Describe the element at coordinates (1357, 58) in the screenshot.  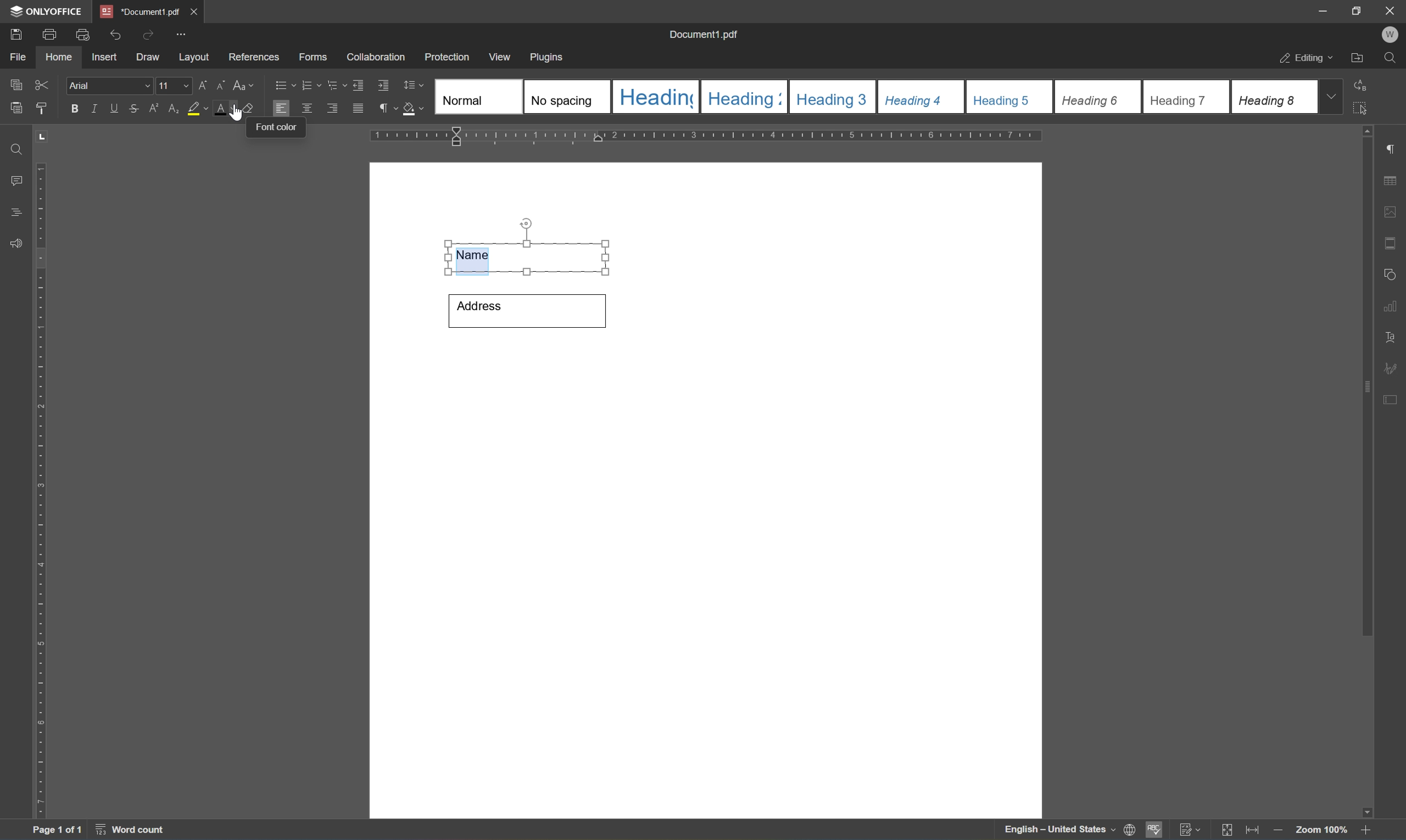
I see `open file location` at that location.